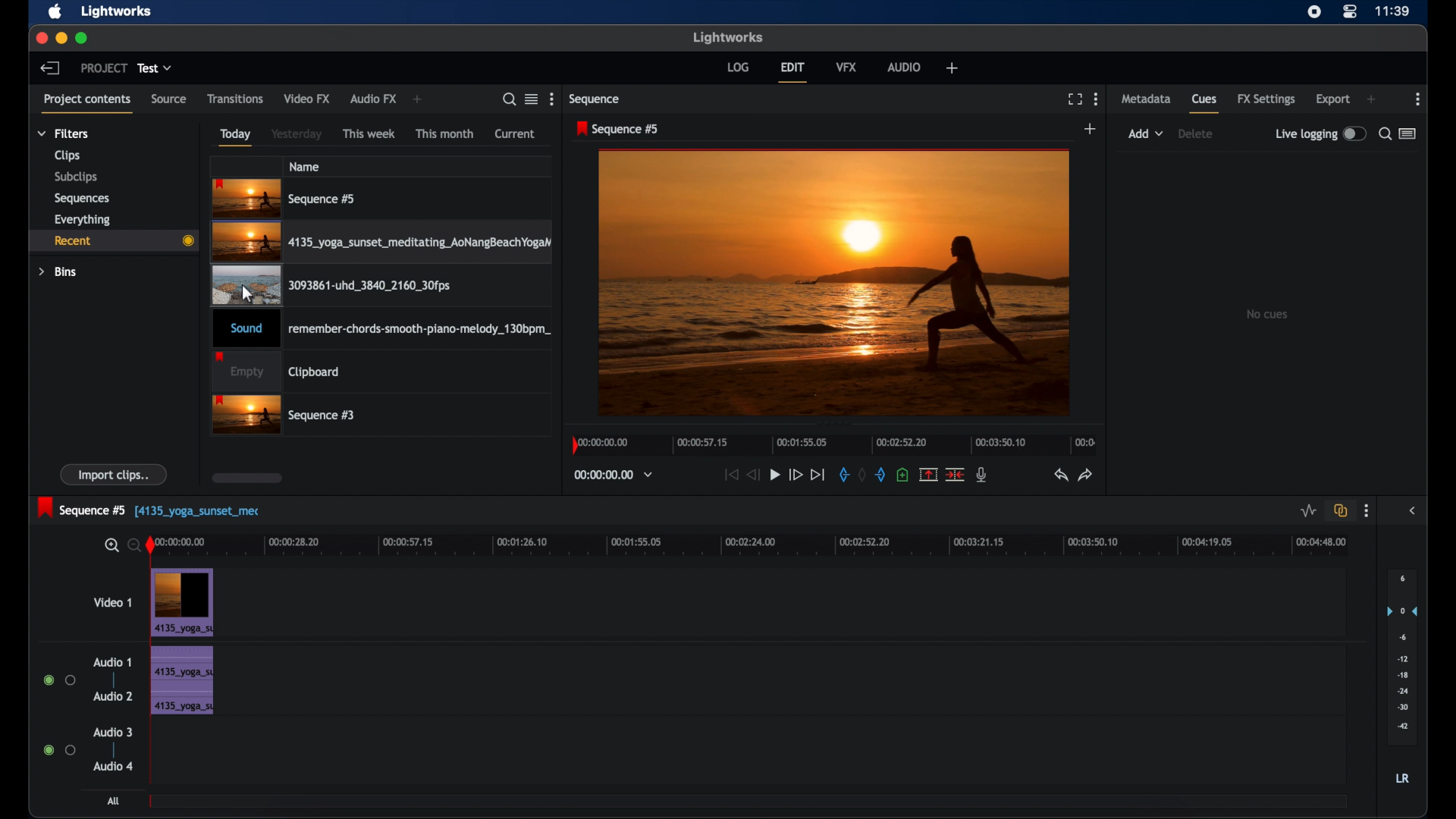 This screenshot has height=819, width=1456. What do you see at coordinates (113, 662) in the screenshot?
I see `audio 1` at bounding box center [113, 662].